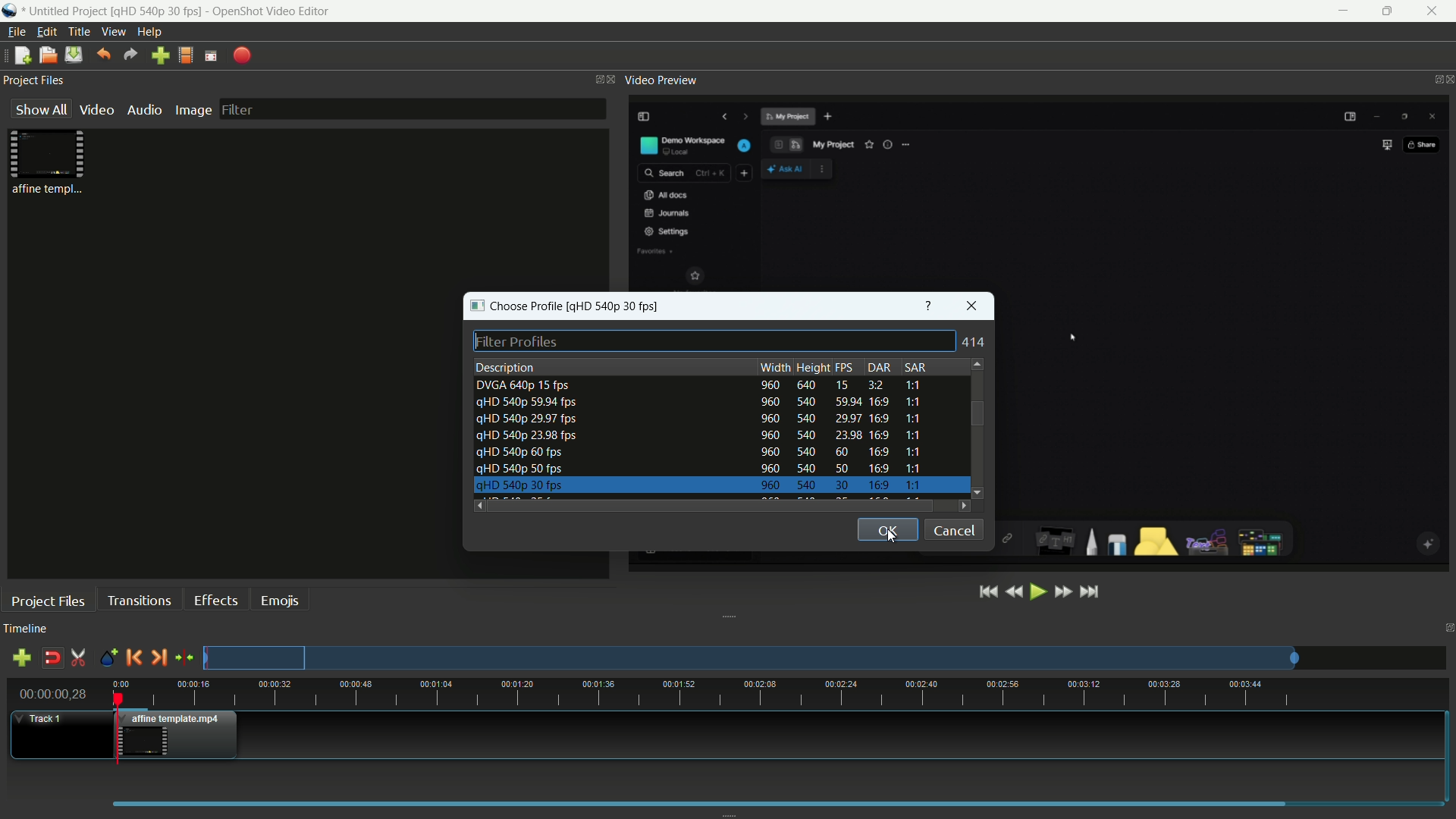  Describe the element at coordinates (1070, 335) in the screenshot. I see `cursor` at that location.